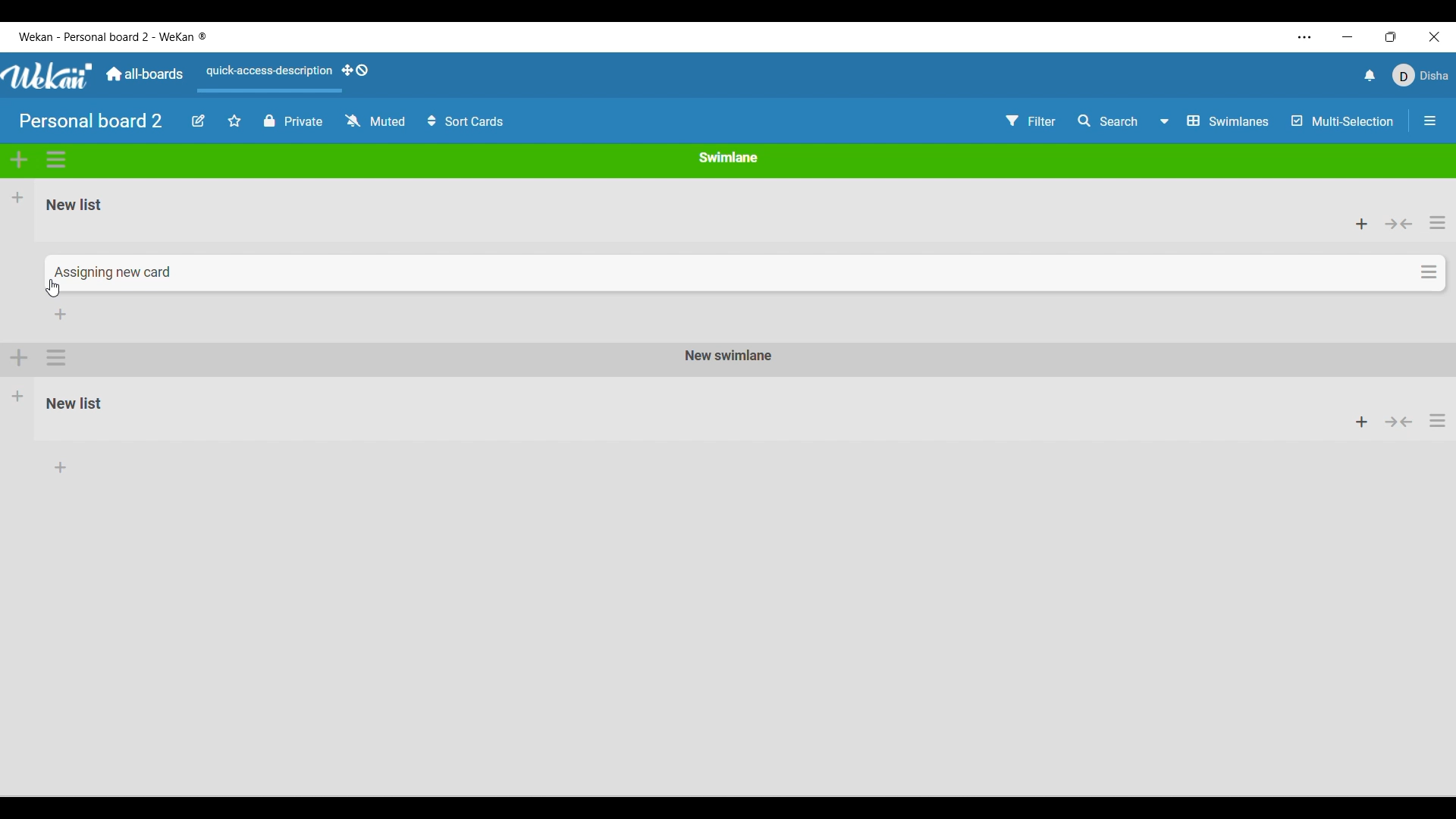  I want to click on Collapse, so click(1399, 224).